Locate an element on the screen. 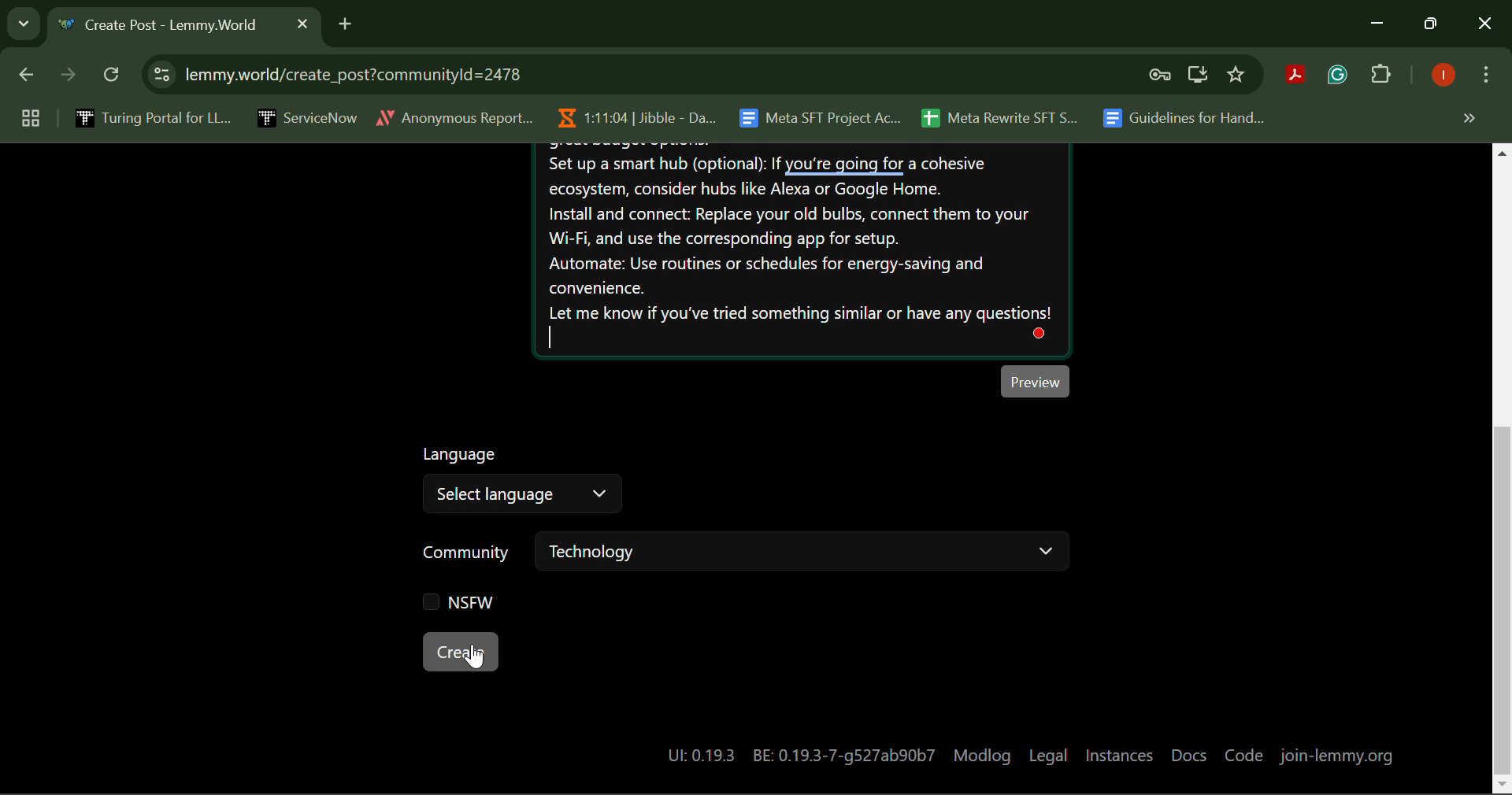 This screenshot has height=795, width=1512. Previous Page is located at coordinates (29, 78).